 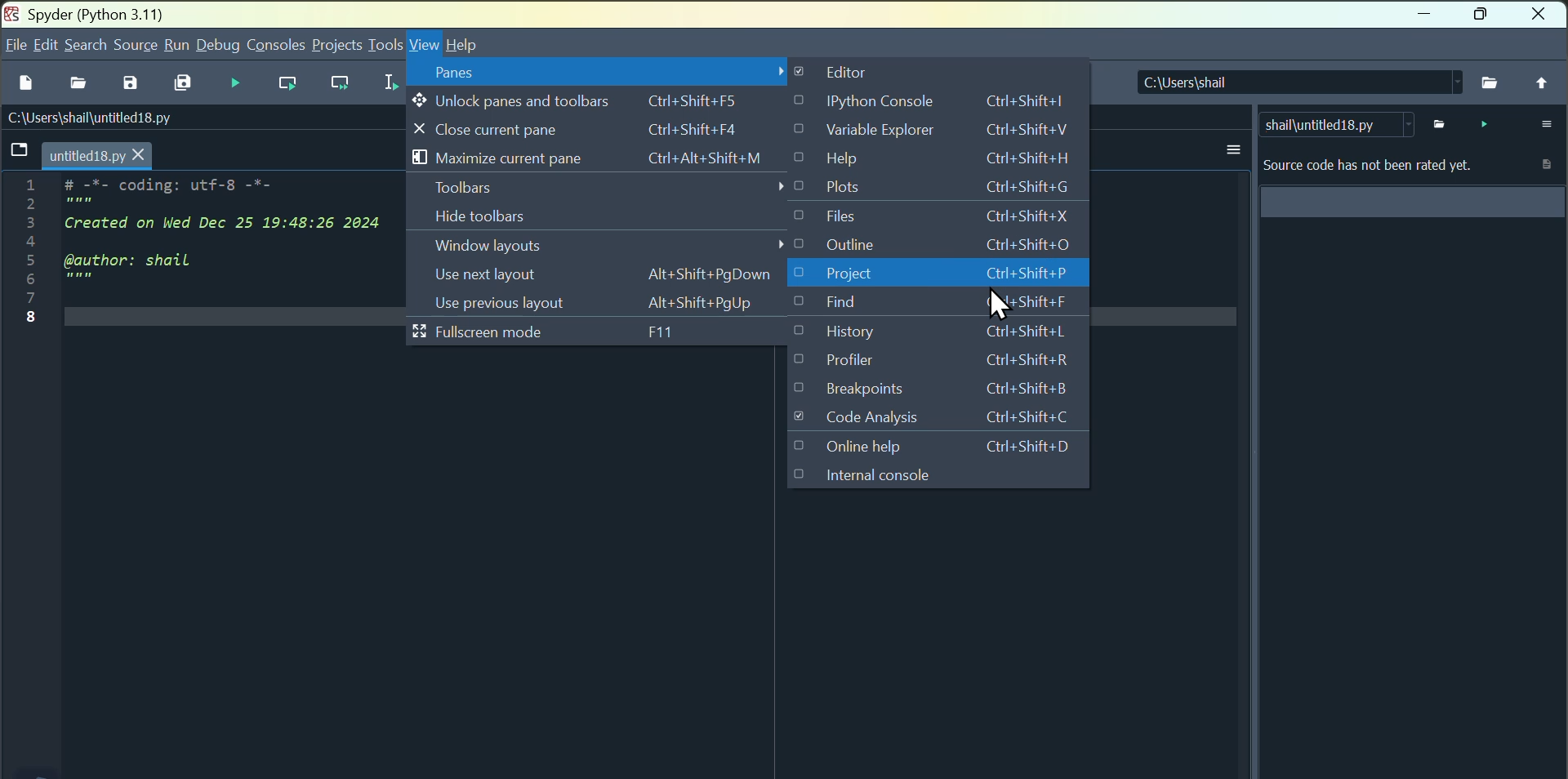 What do you see at coordinates (77, 156) in the screenshot?
I see `file tab` at bounding box center [77, 156].